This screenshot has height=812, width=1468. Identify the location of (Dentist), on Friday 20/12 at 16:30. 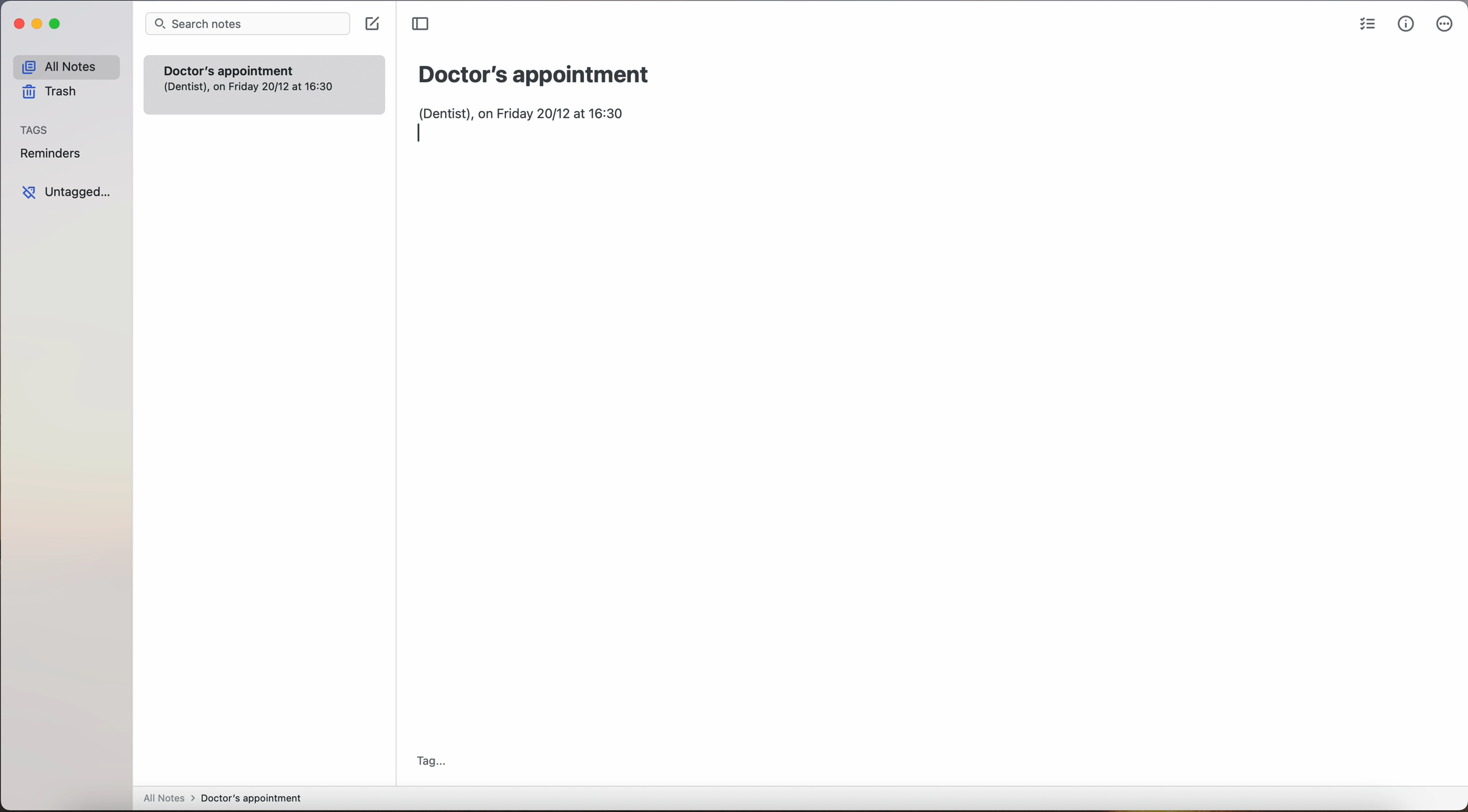
(533, 111).